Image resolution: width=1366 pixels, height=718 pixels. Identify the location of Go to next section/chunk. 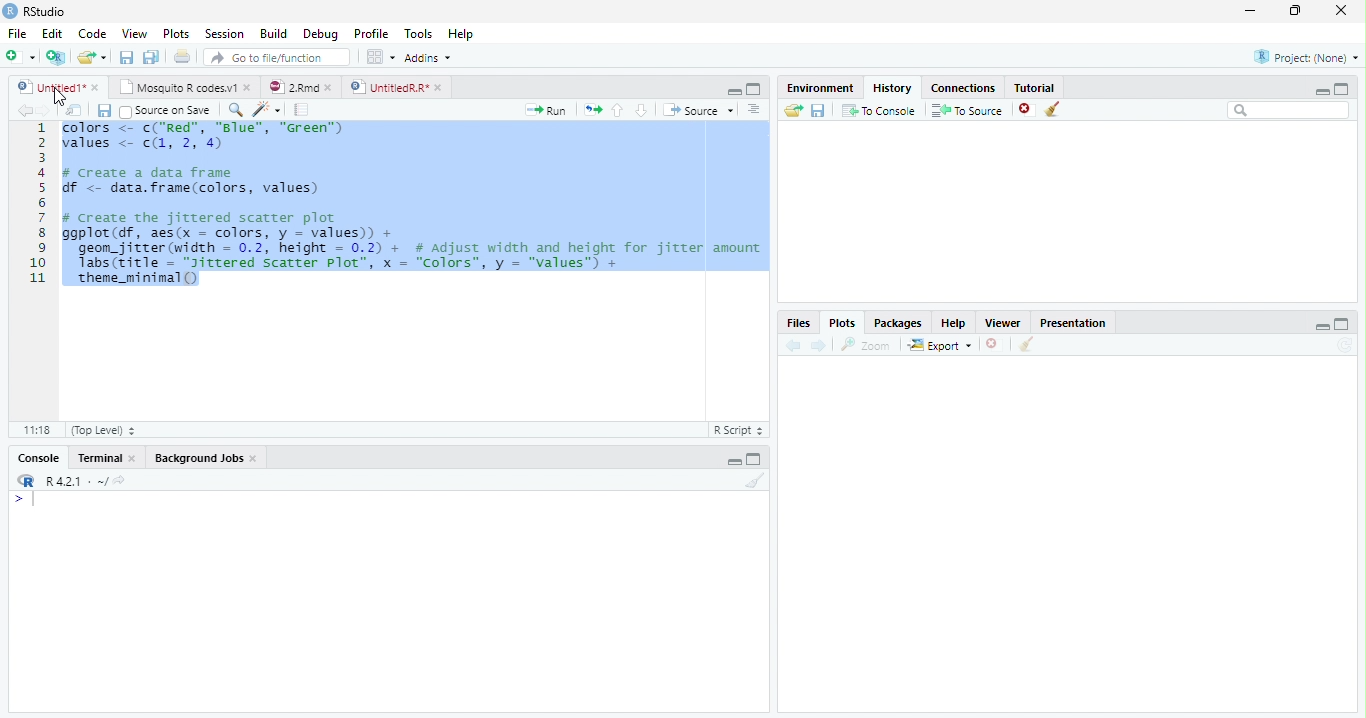
(641, 110).